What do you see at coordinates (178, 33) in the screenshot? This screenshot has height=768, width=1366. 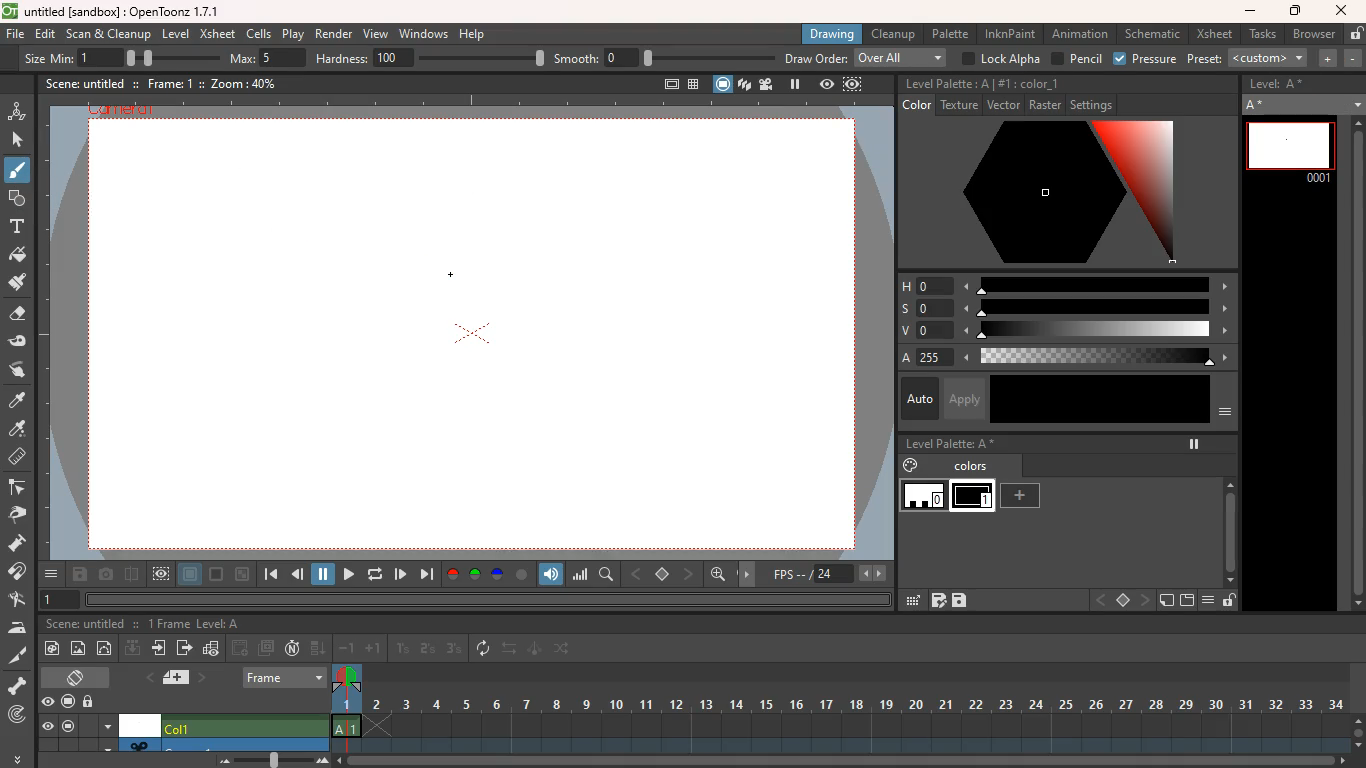 I see `level` at bounding box center [178, 33].